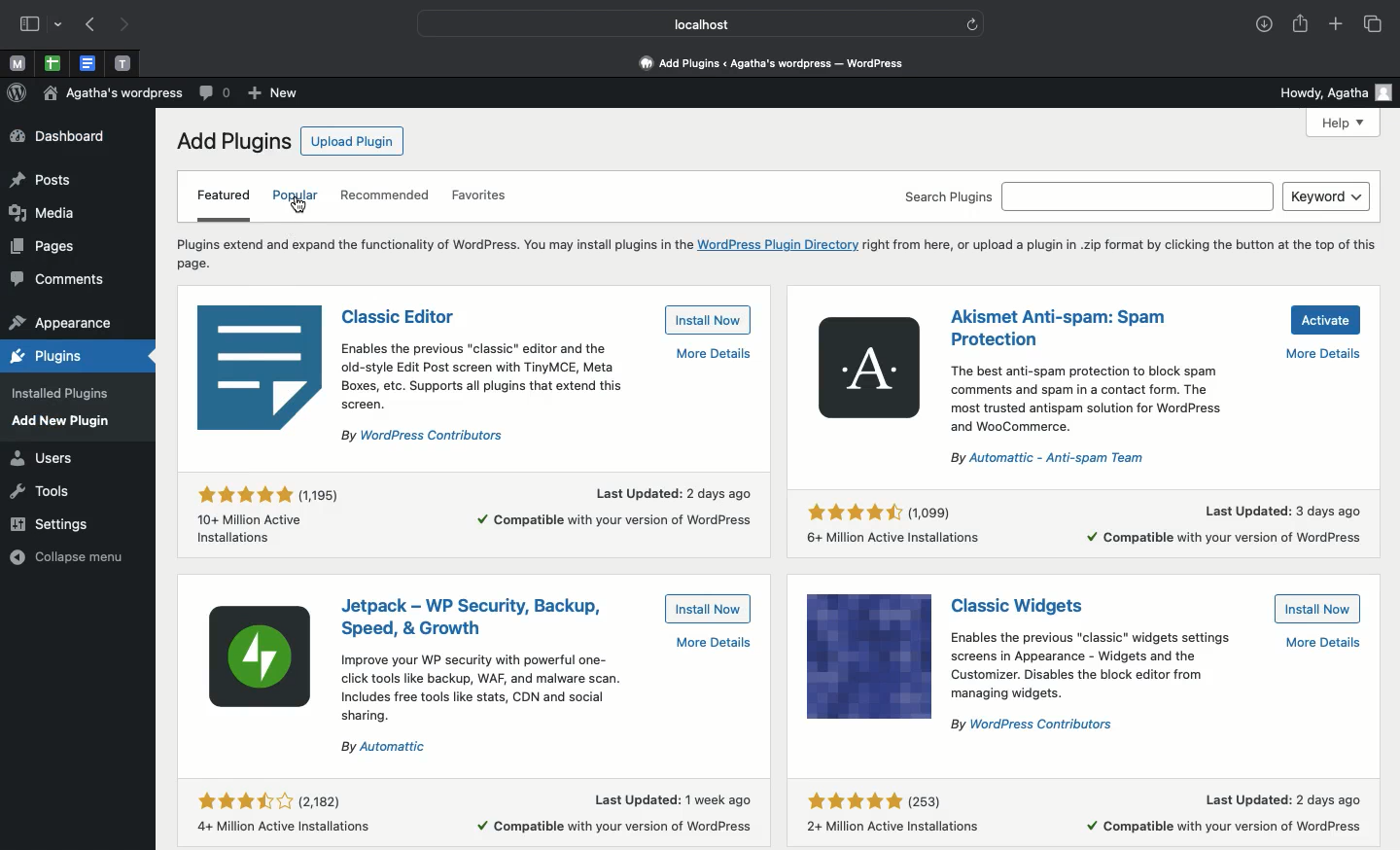 The image size is (1400, 850). I want to click on Wordpress name, so click(115, 96).